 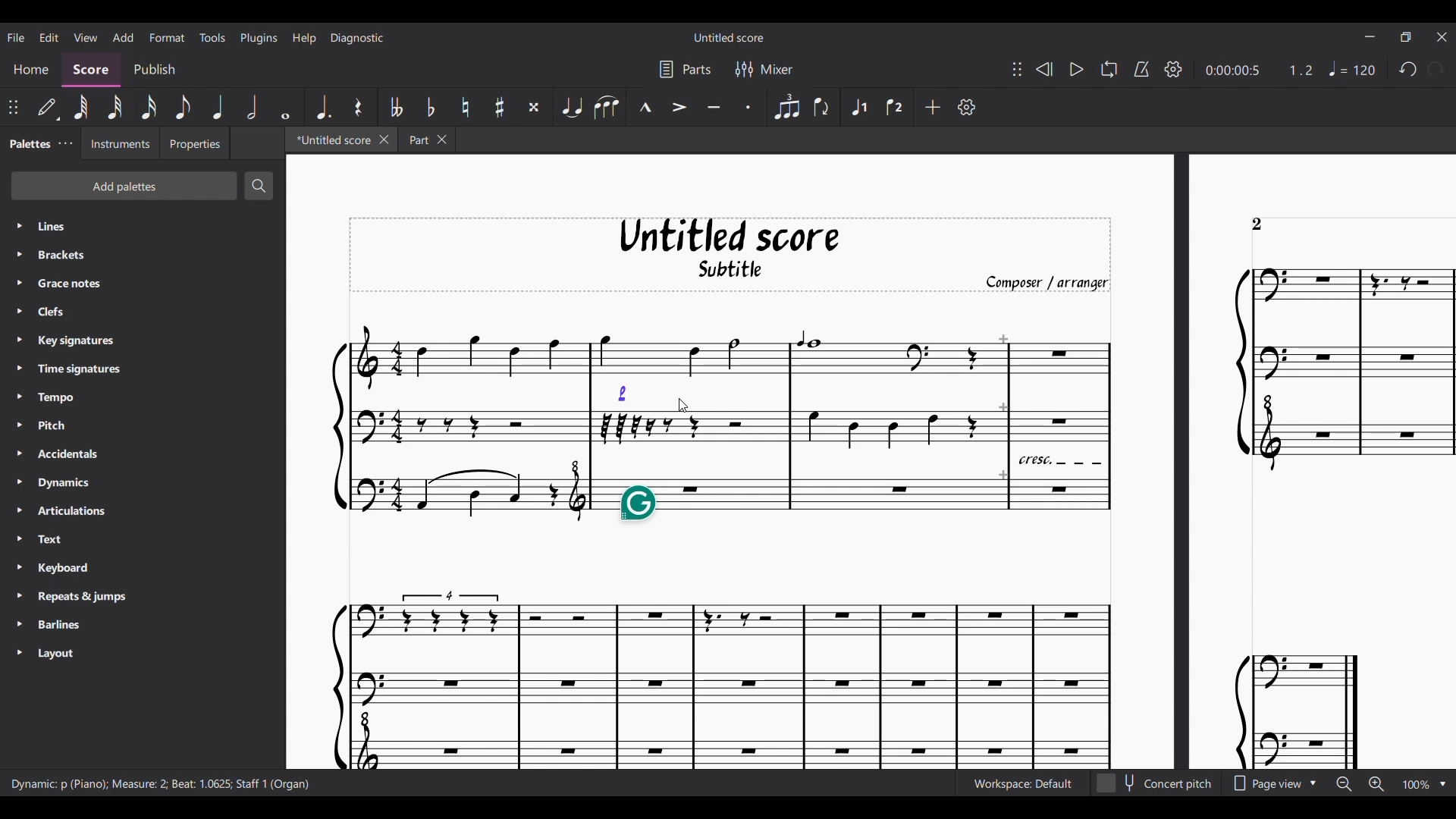 I want to click on 64th note, so click(x=81, y=107).